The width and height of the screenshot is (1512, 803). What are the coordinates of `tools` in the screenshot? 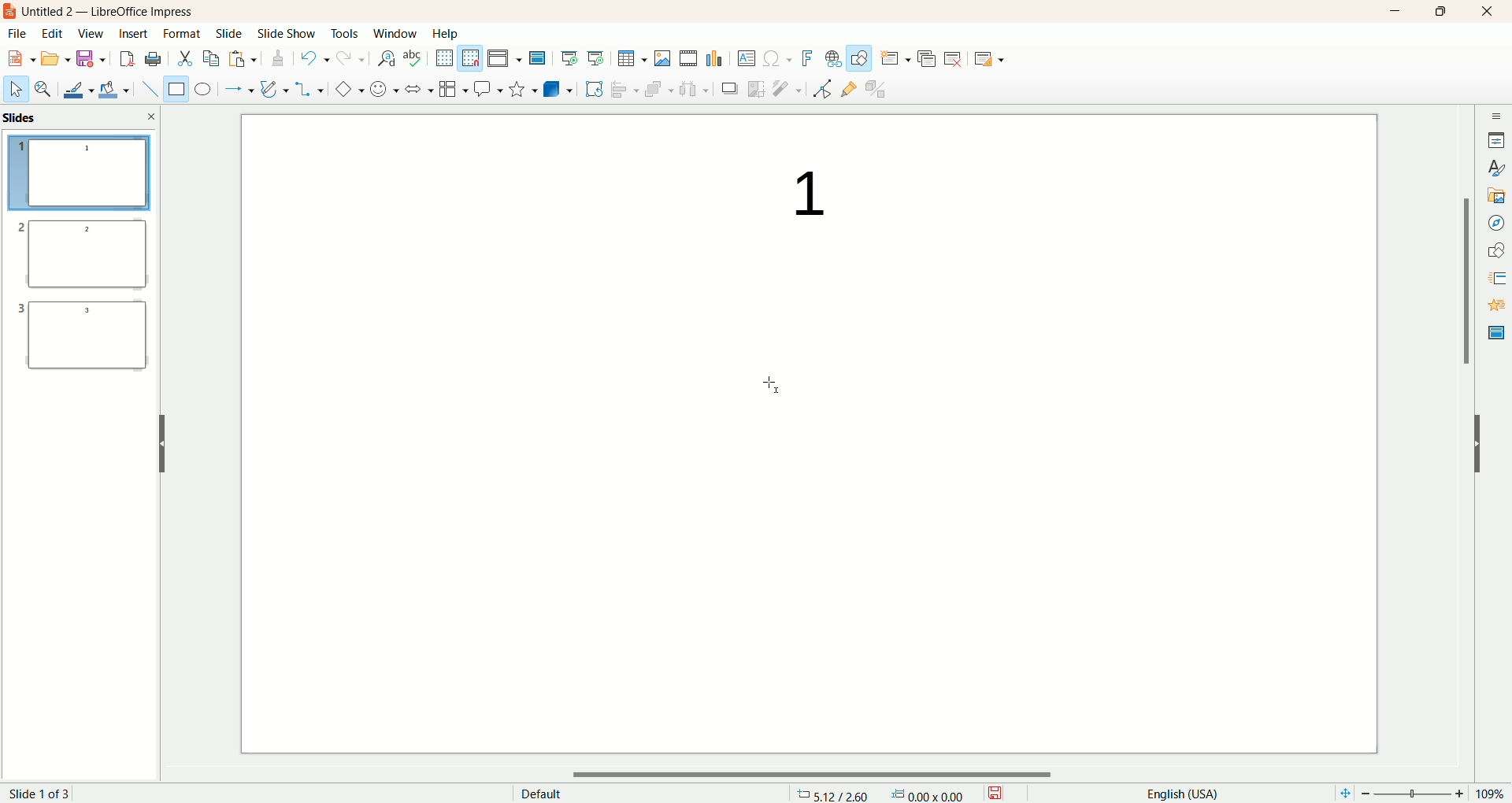 It's located at (346, 37).